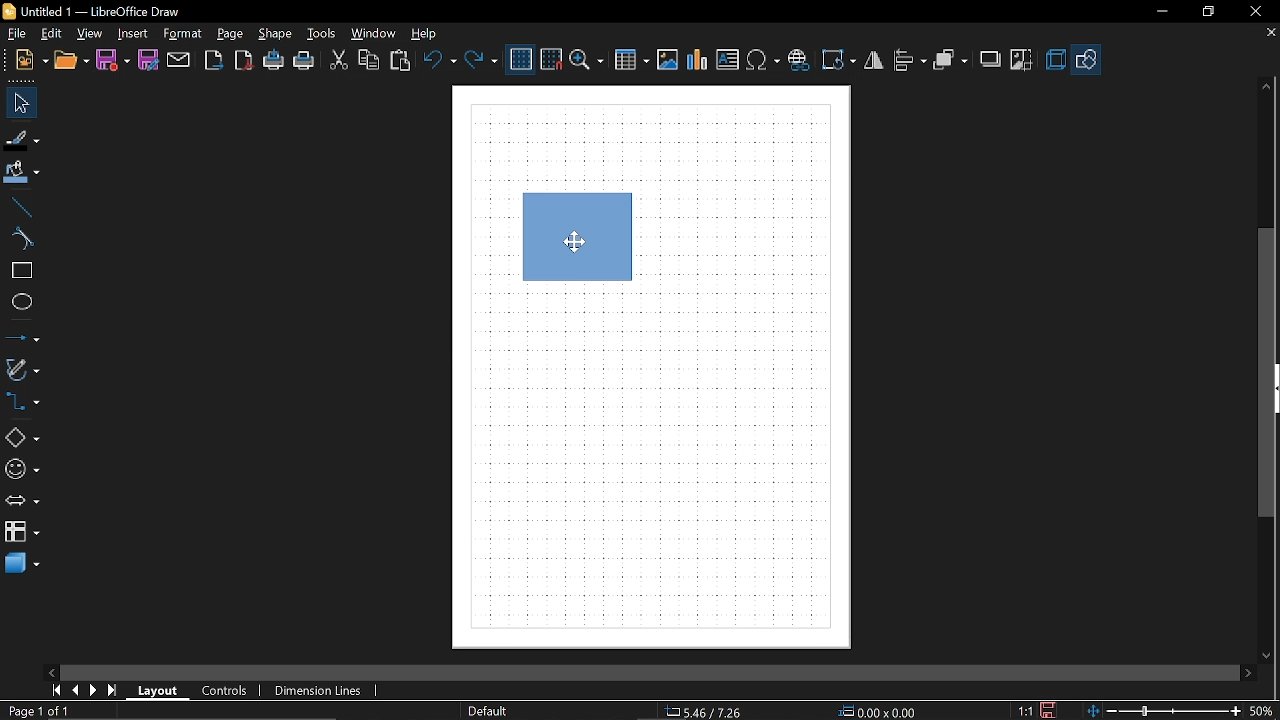 The image size is (1280, 720). Describe the element at coordinates (22, 531) in the screenshot. I see `Flowchart` at that location.